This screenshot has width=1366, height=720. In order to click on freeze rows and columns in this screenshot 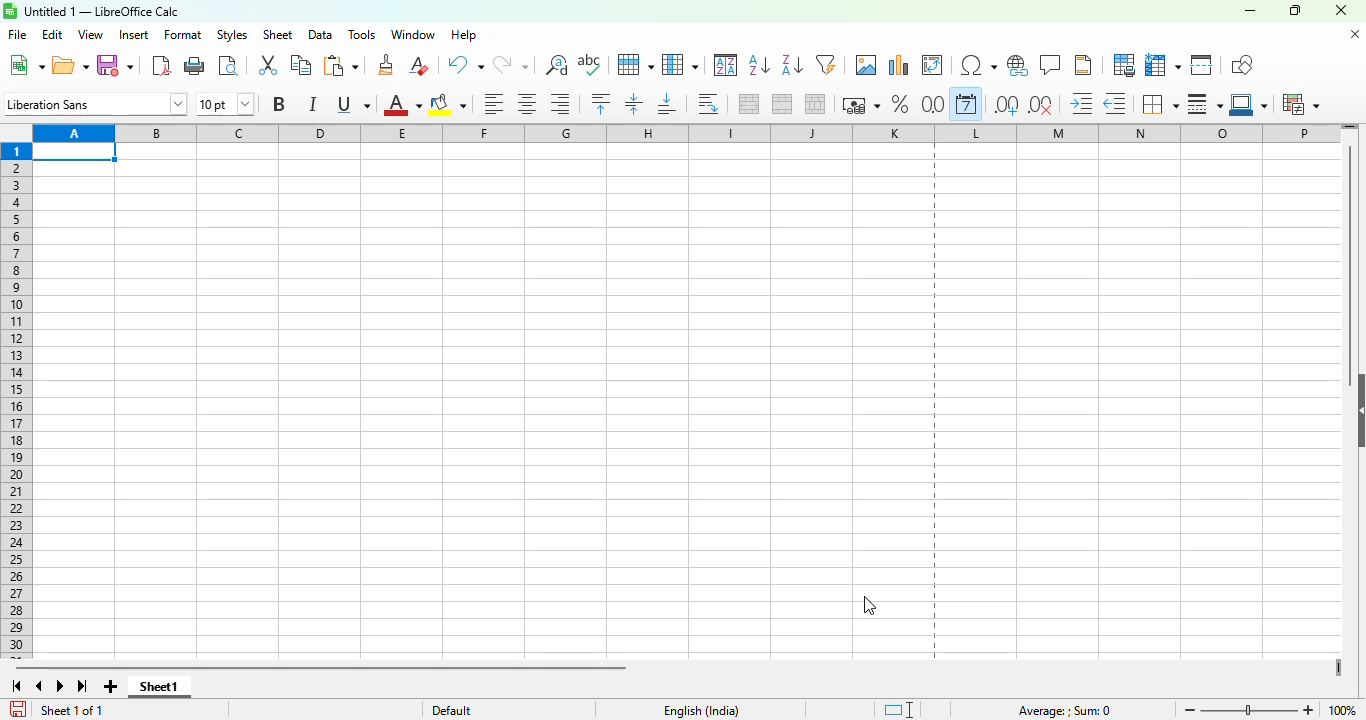, I will do `click(1163, 65)`.